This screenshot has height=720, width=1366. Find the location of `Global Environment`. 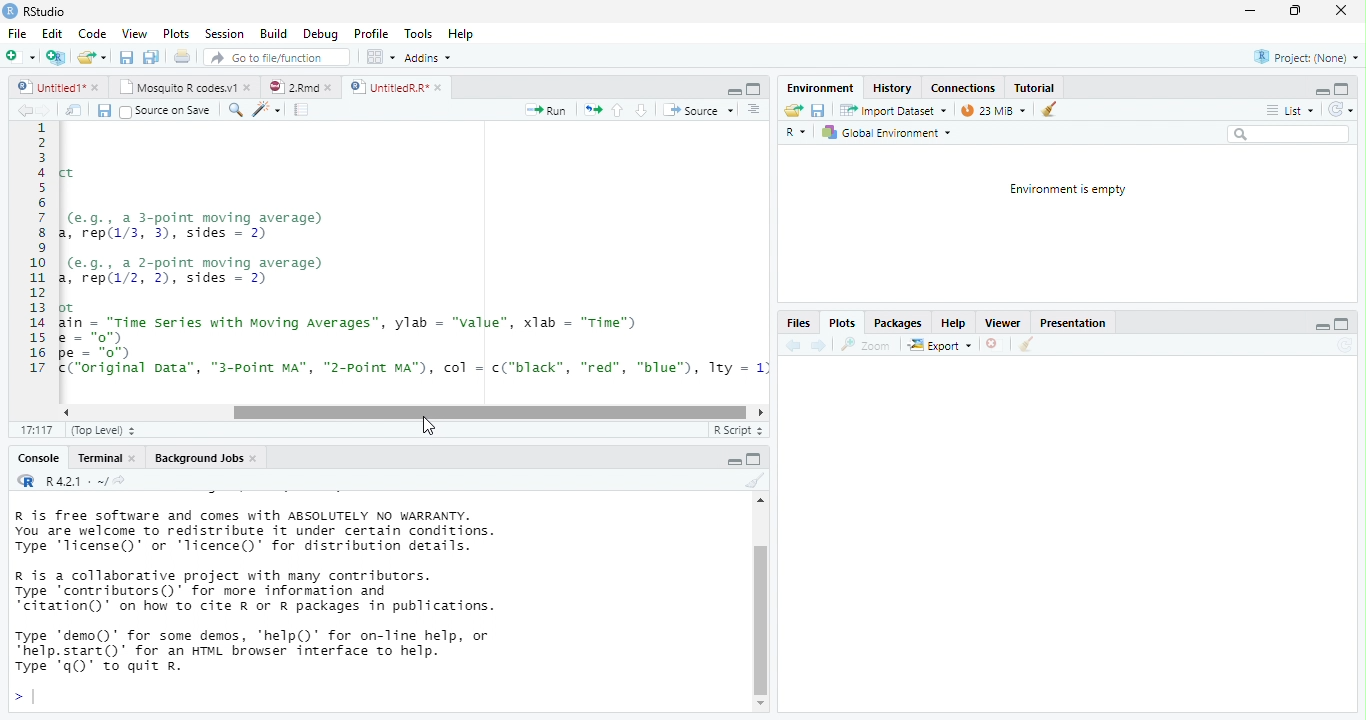

Global Environment is located at coordinates (886, 133).